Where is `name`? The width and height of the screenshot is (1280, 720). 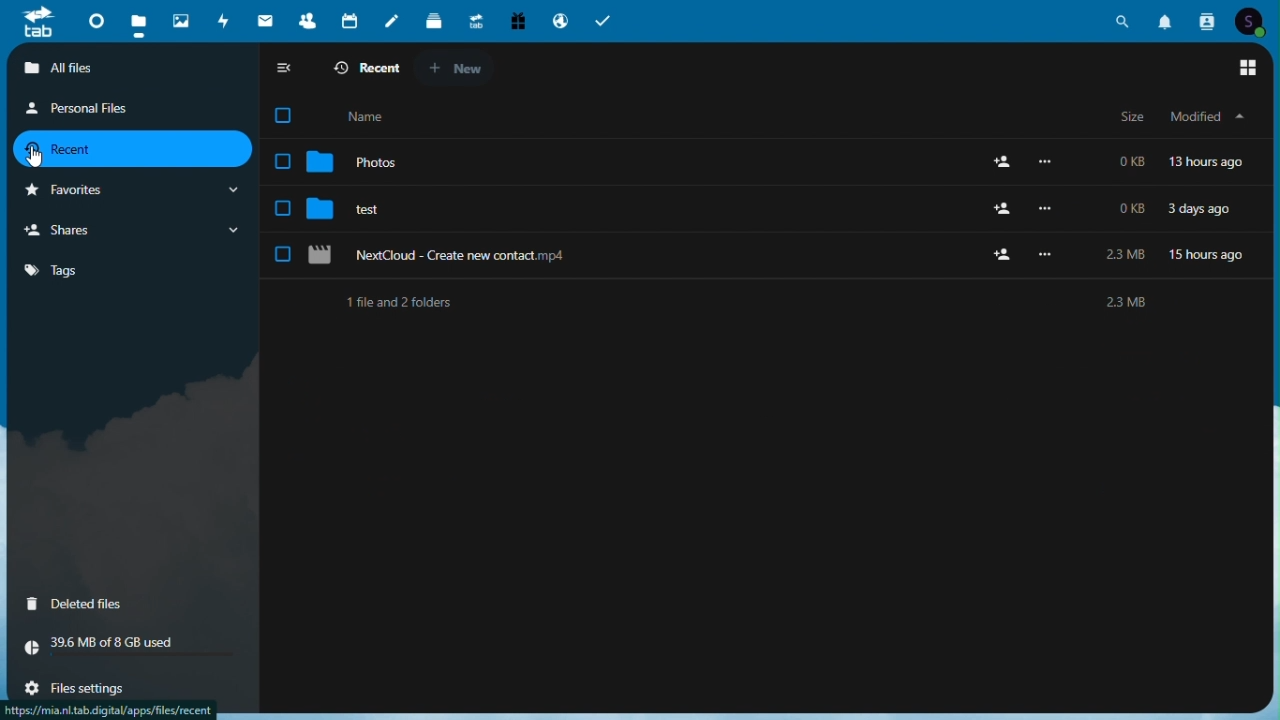
name is located at coordinates (381, 114).